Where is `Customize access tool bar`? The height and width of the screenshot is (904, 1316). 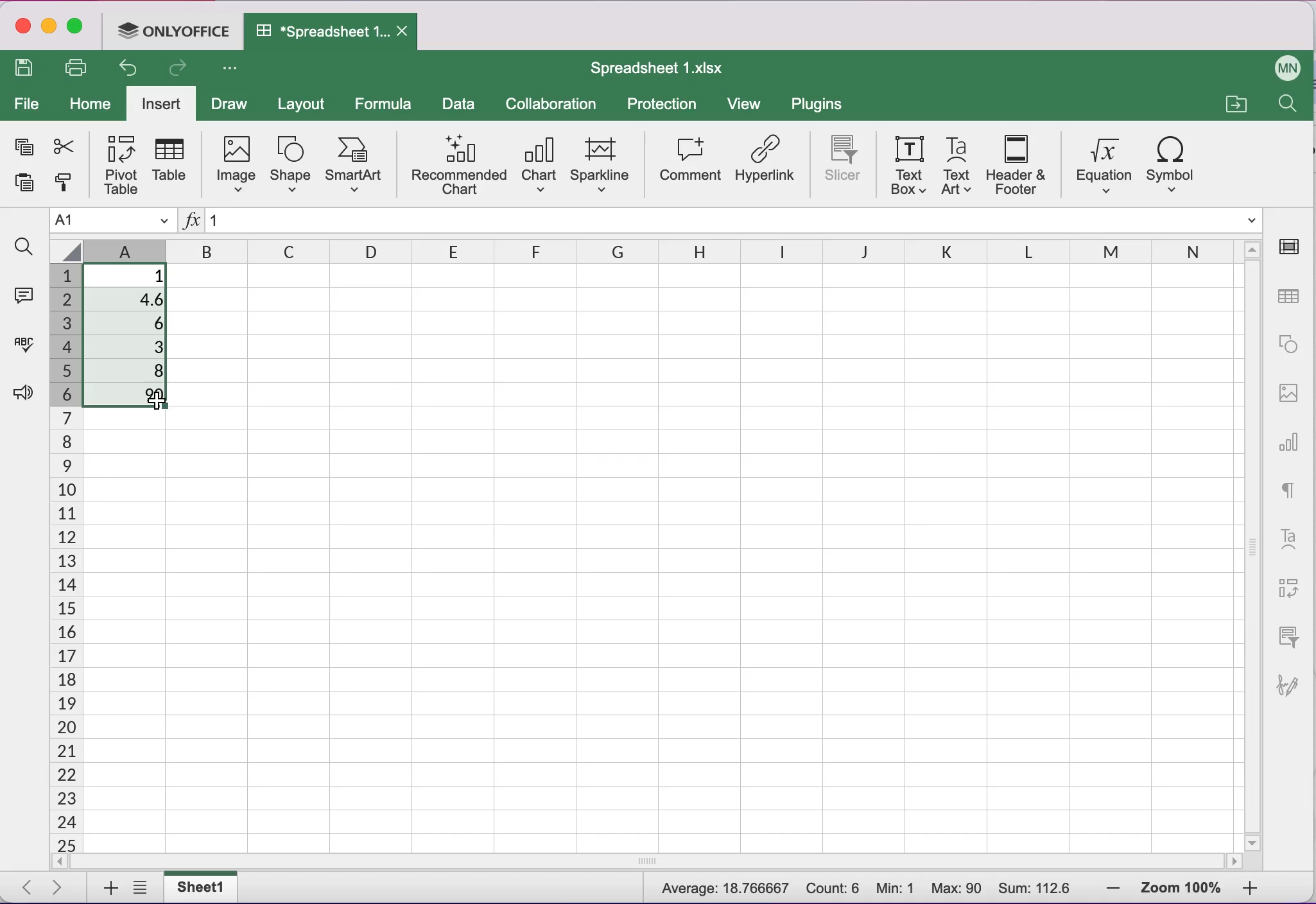 Customize access tool bar is located at coordinates (230, 67).